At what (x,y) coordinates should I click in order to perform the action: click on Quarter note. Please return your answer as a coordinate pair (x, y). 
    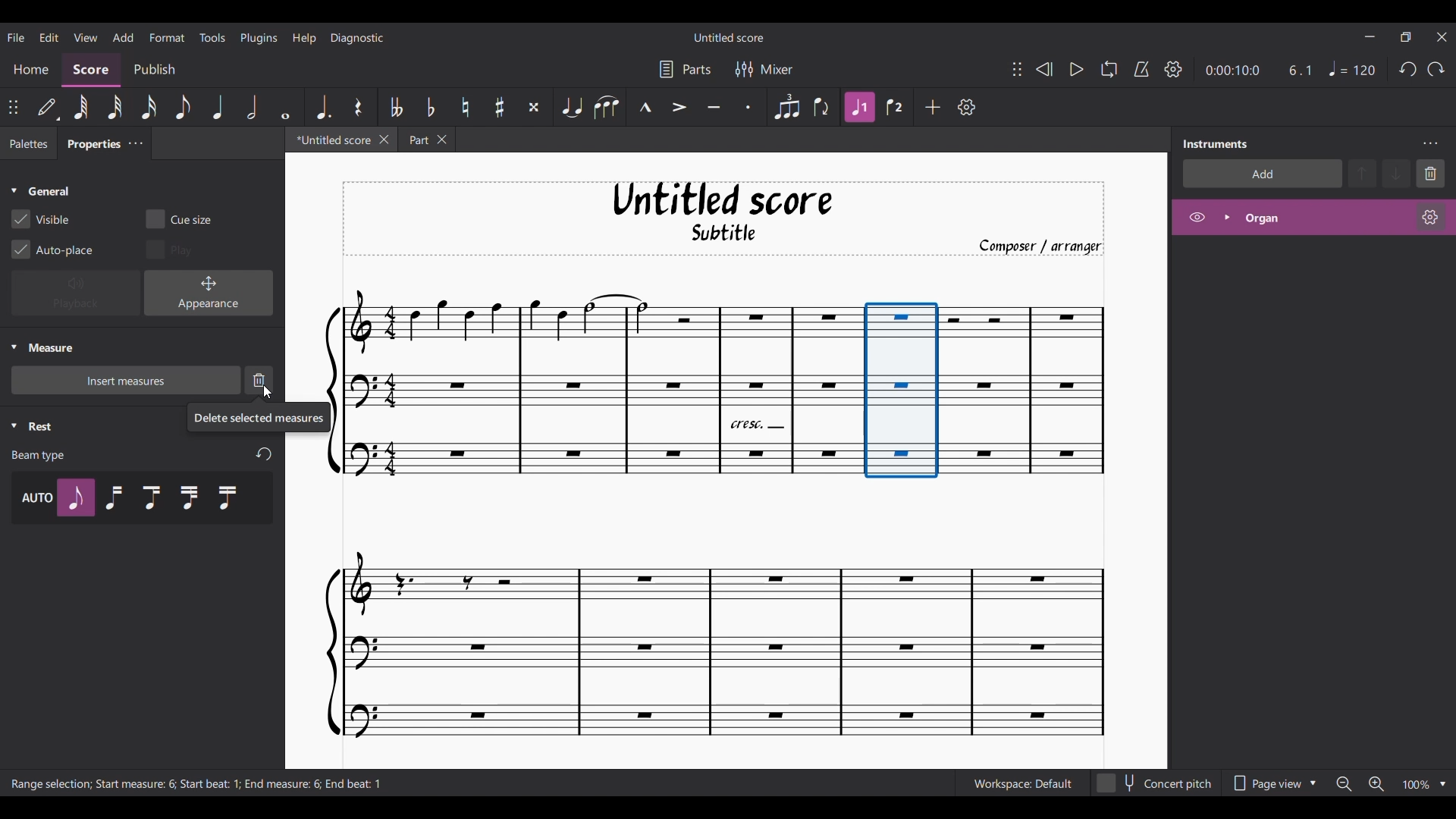
    Looking at the image, I should click on (218, 107).